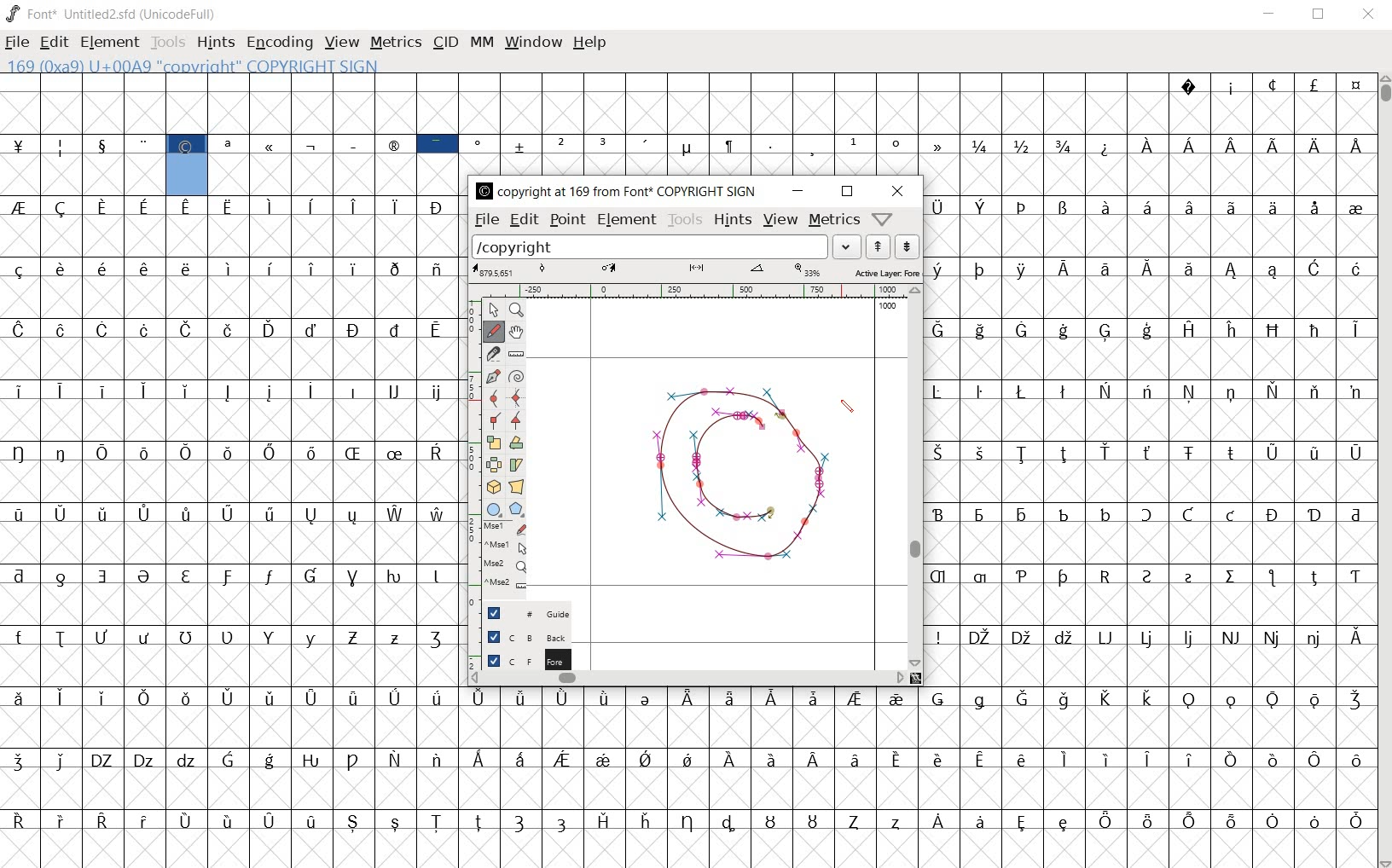 The height and width of the screenshot is (868, 1392). Describe the element at coordinates (214, 43) in the screenshot. I see `hints` at that location.